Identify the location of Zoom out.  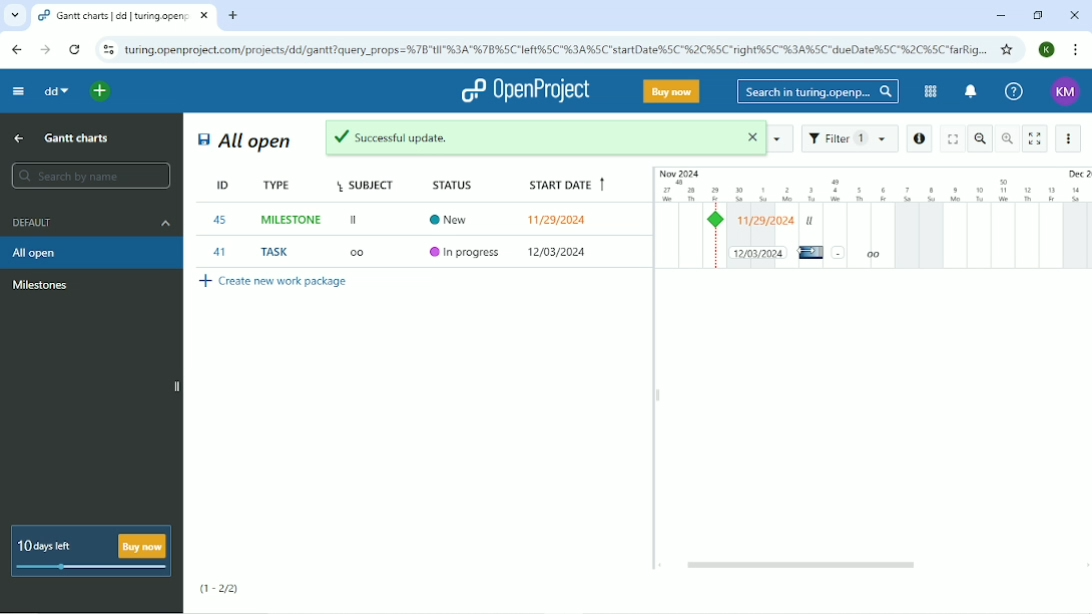
(981, 138).